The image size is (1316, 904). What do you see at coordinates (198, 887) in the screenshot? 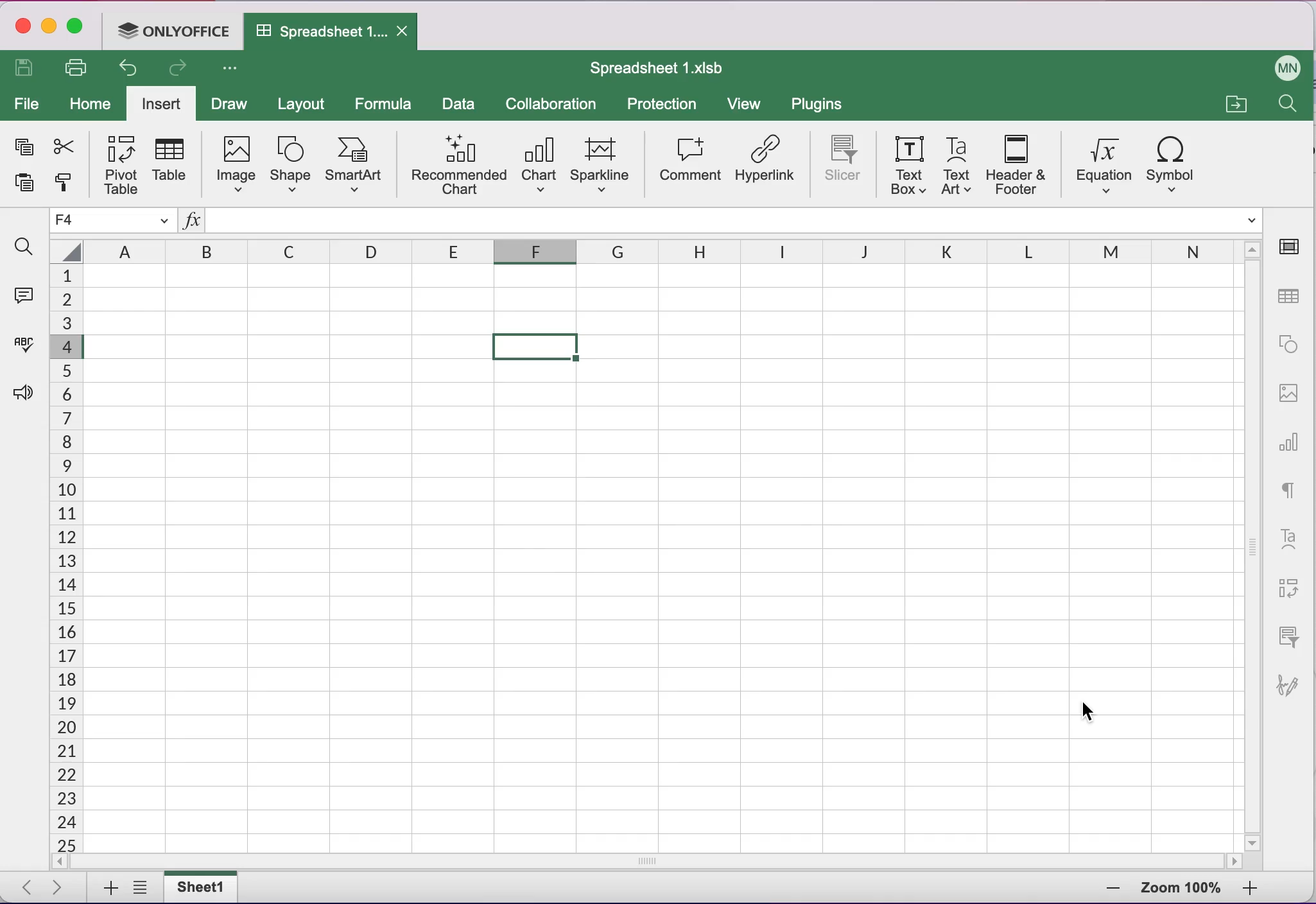
I see `sheet` at bounding box center [198, 887].